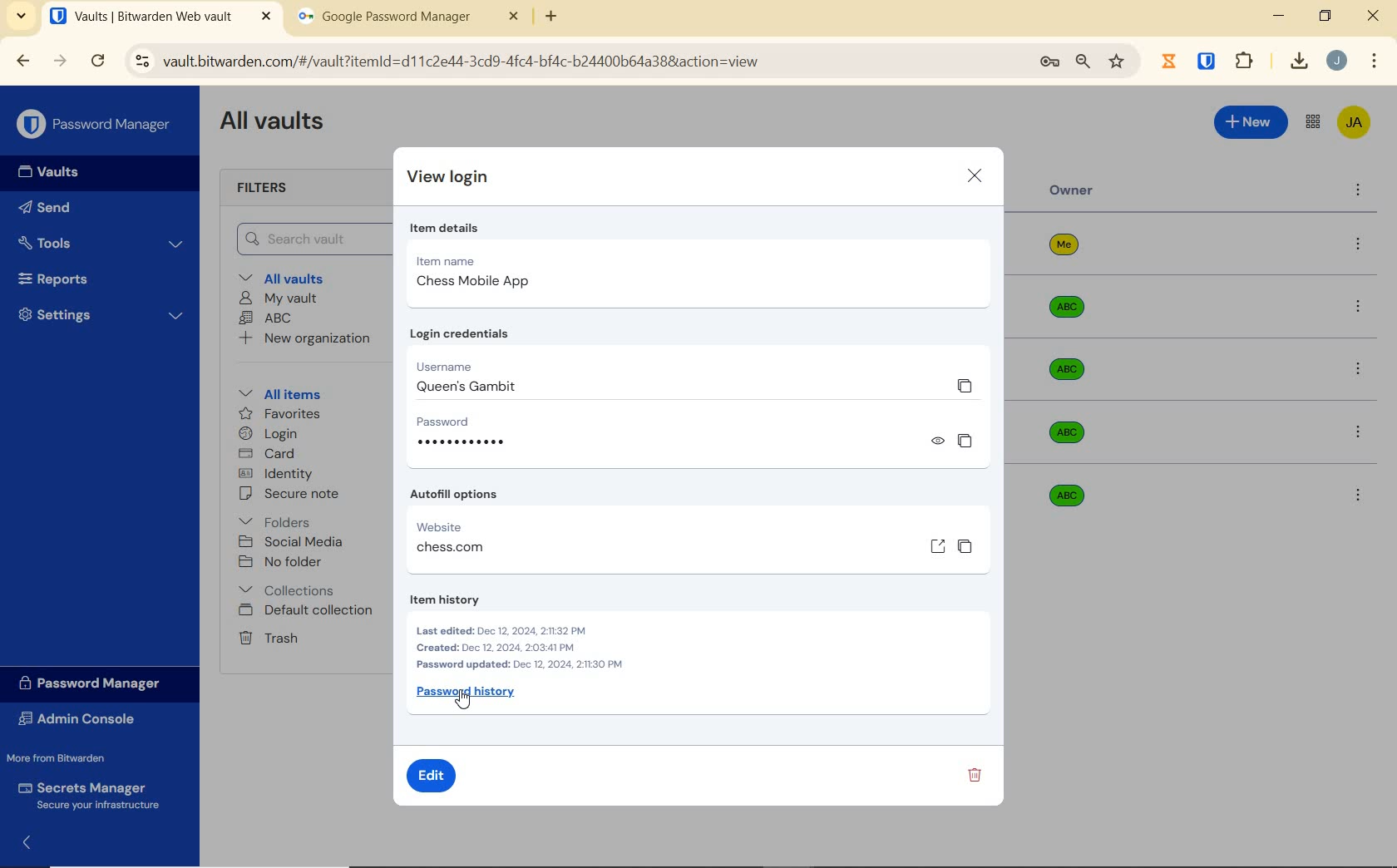  Describe the element at coordinates (1357, 126) in the screenshot. I see `Bitwarden Account` at that location.